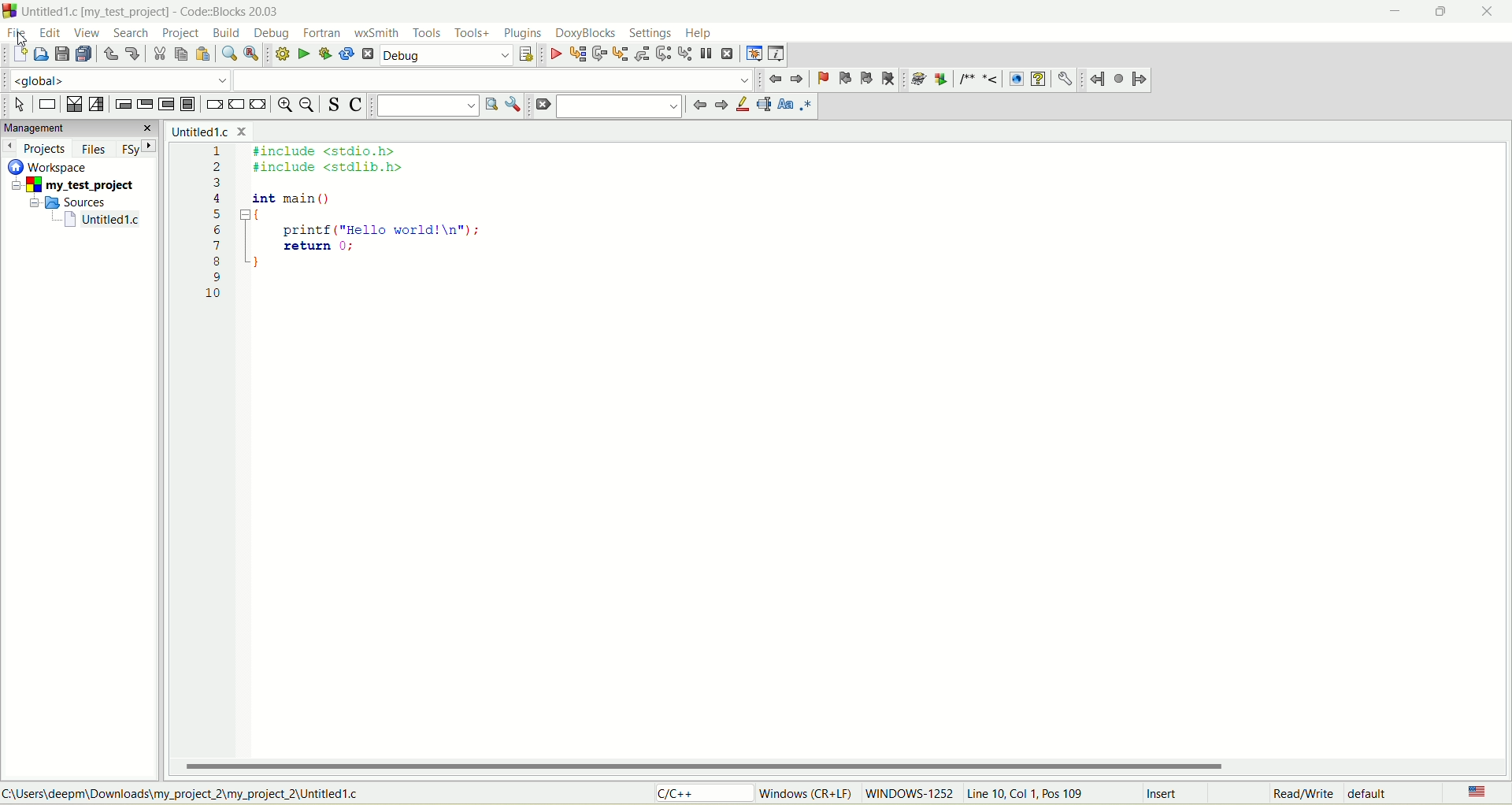  Describe the element at coordinates (1165, 795) in the screenshot. I see `insert` at that location.